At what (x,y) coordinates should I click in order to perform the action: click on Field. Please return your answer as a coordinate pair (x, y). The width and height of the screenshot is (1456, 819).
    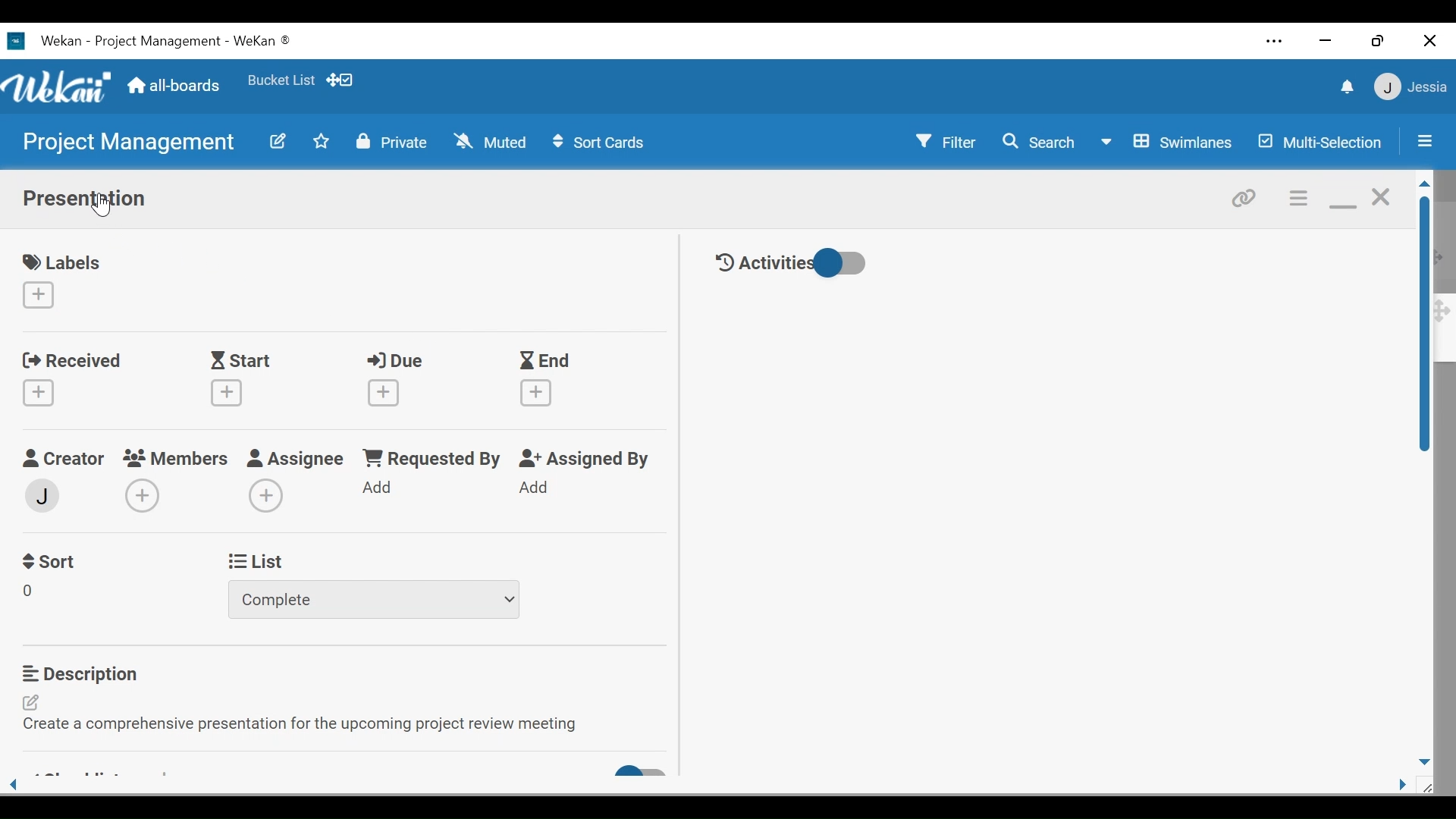
    Looking at the image, I should click on (29, 592).